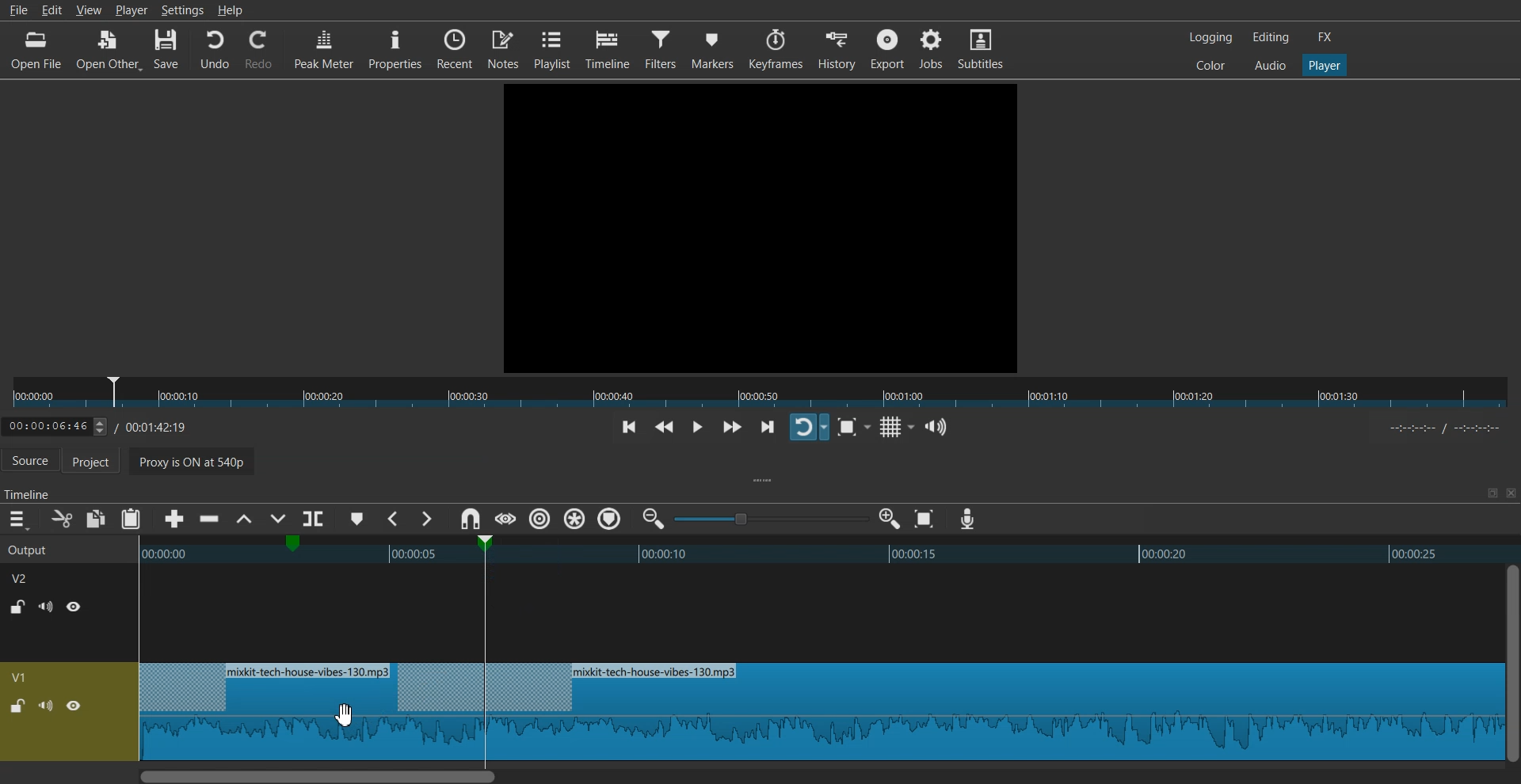 This screenshot has height=784, width=1521. Describe the element at coordinates (771, 519) in the screenshot. I see `Zoom adjuster toggle` at that location.